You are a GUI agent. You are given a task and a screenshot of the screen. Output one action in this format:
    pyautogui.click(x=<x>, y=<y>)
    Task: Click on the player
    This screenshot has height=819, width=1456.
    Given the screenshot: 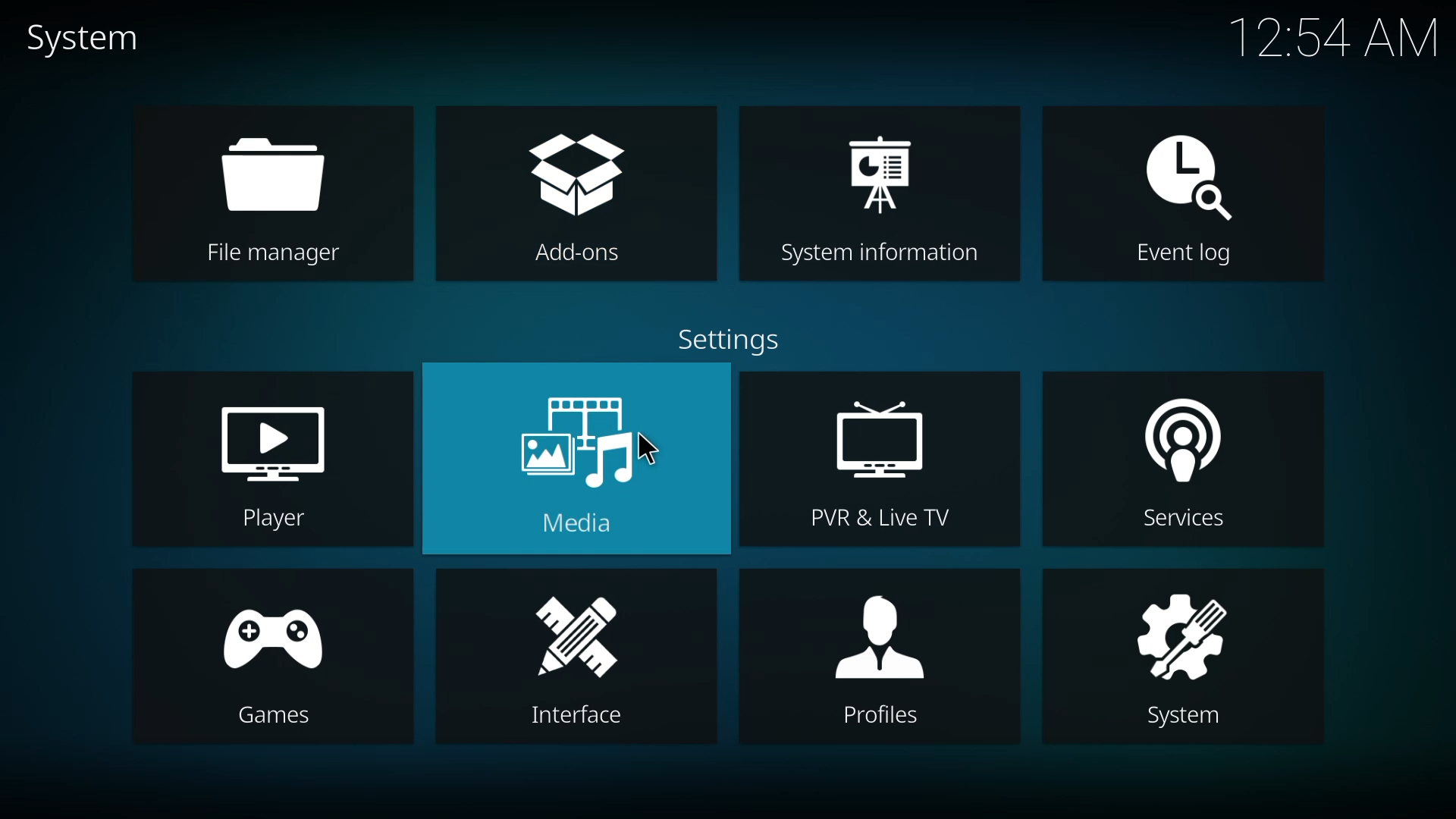 What is the action you would take?
    pyautogui.click(x=271, y=463)
    